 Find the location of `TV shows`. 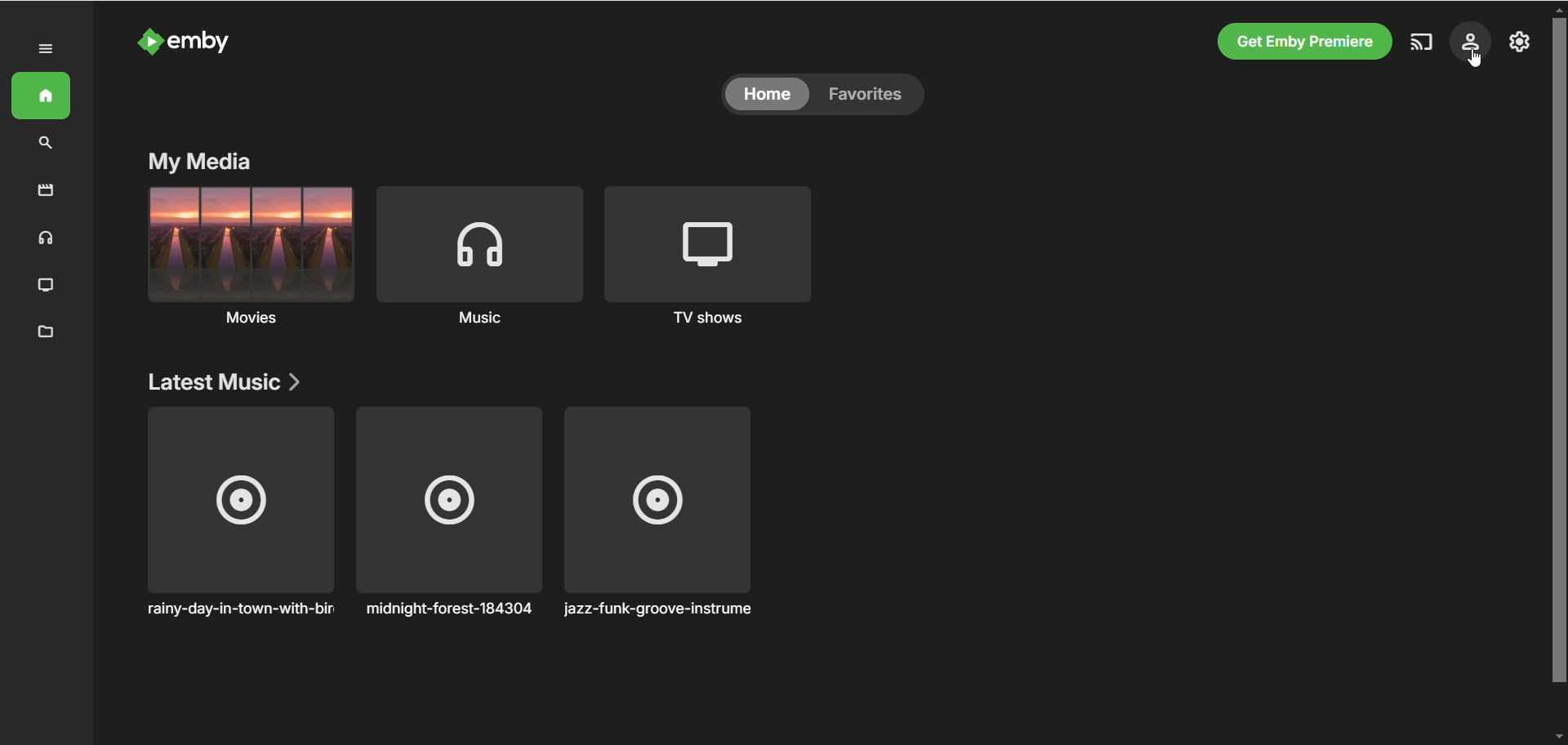

TV shows is located at coordinates (713, 320).